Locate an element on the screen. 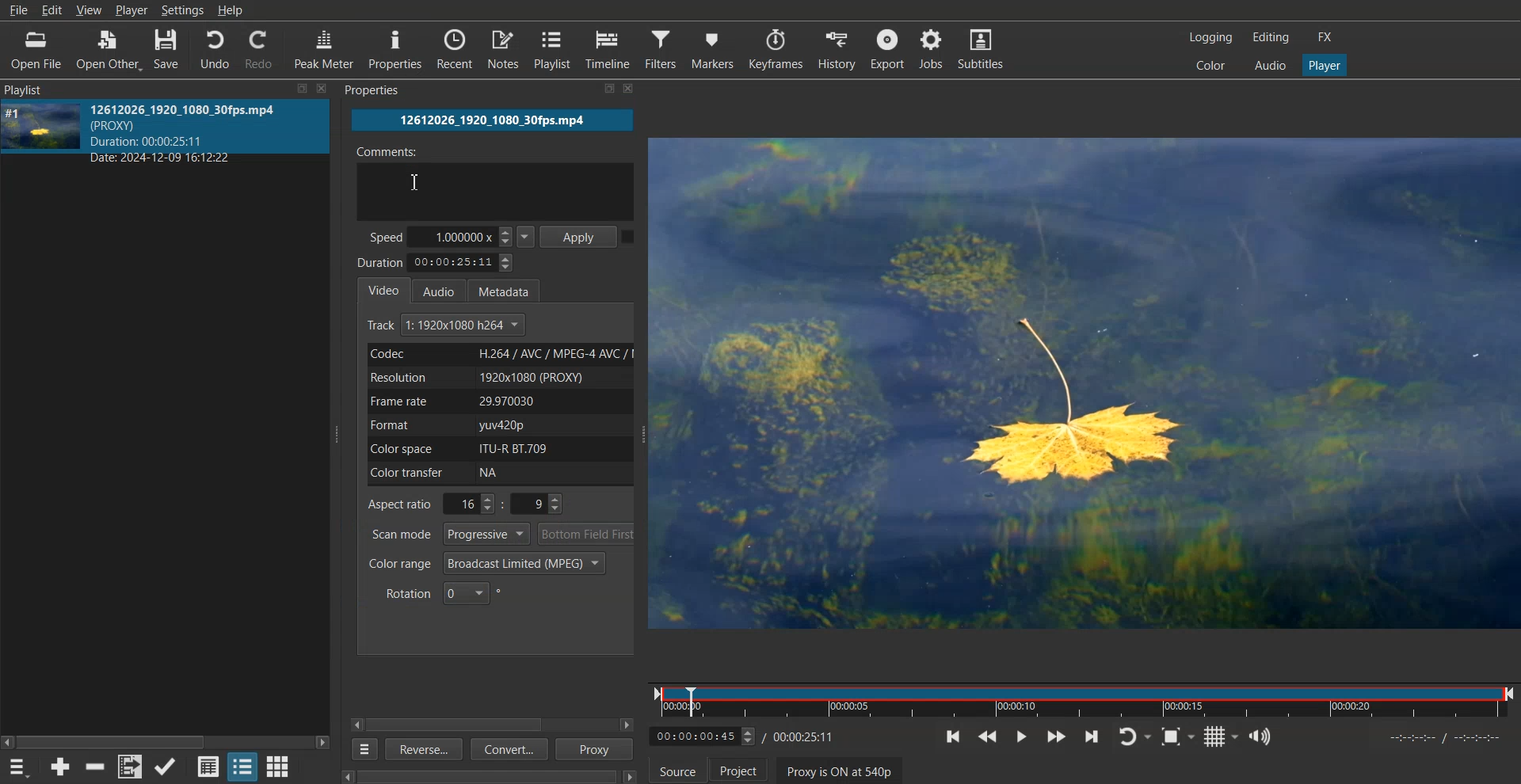  More Options is located at coordinates (361, 749).